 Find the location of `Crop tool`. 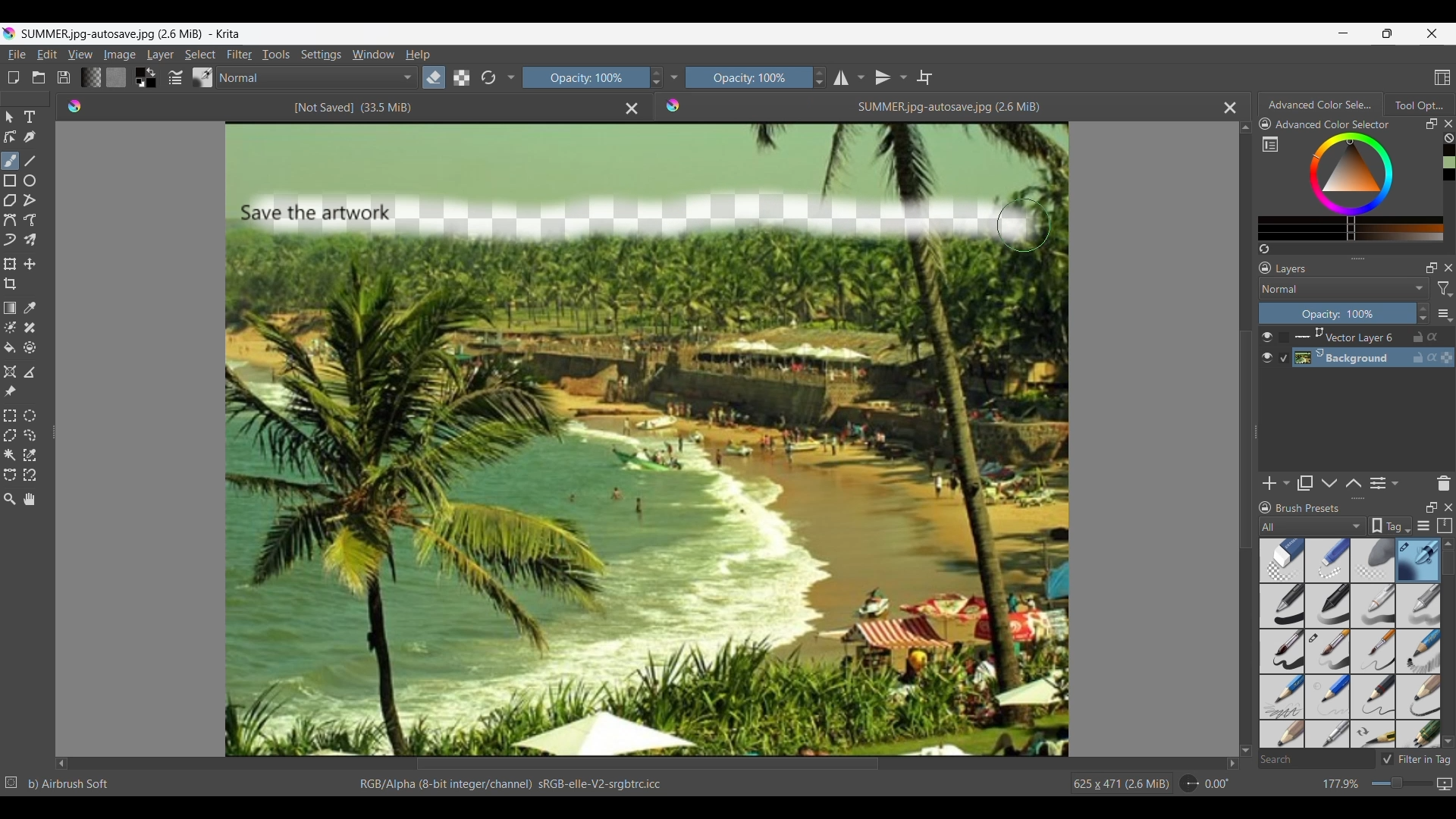

Crop tool is located at coordinates (11, 284).